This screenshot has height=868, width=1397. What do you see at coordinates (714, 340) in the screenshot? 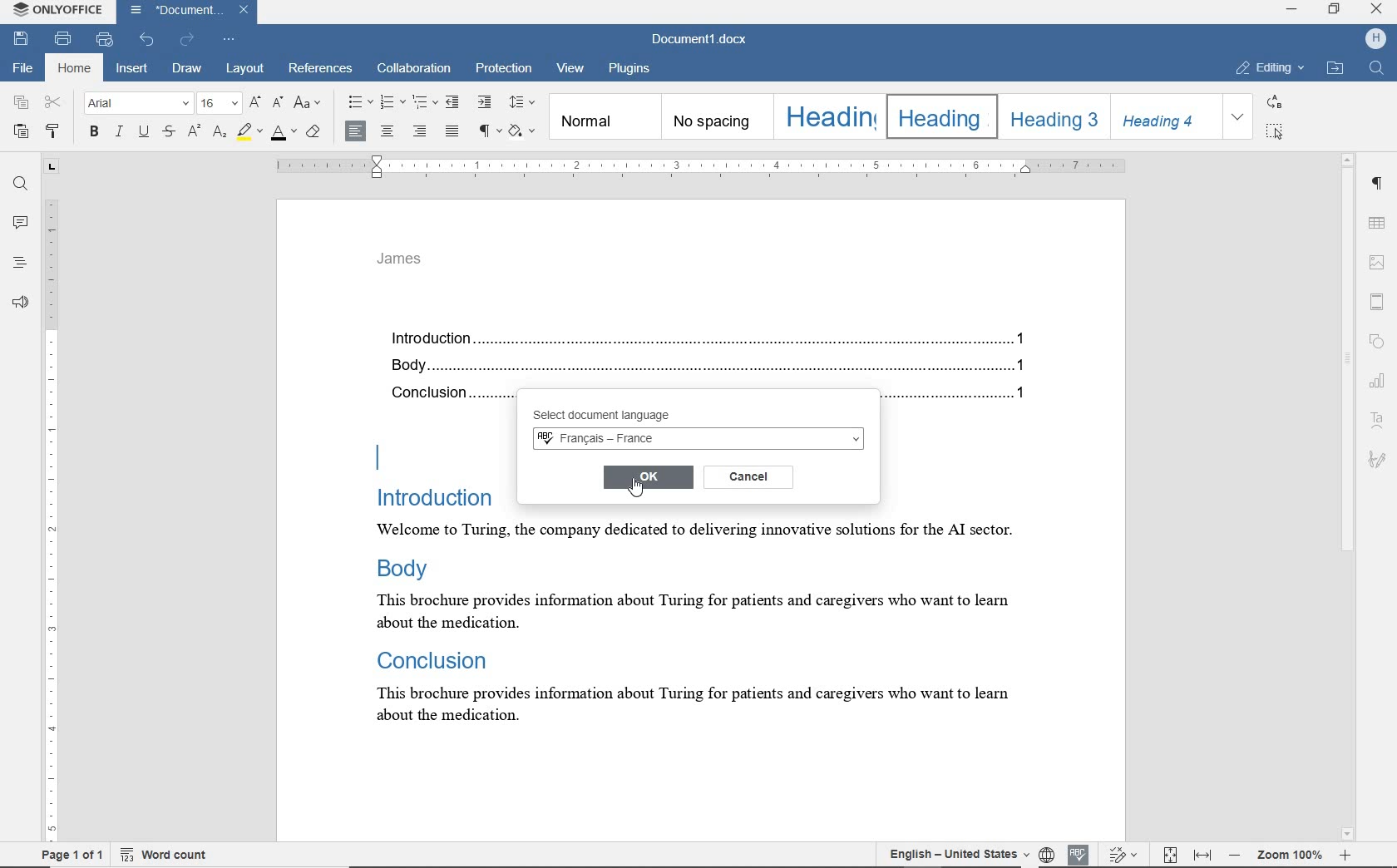
I see `Introduction.......................................................................................................................................1` at bounding box center [714, 340].